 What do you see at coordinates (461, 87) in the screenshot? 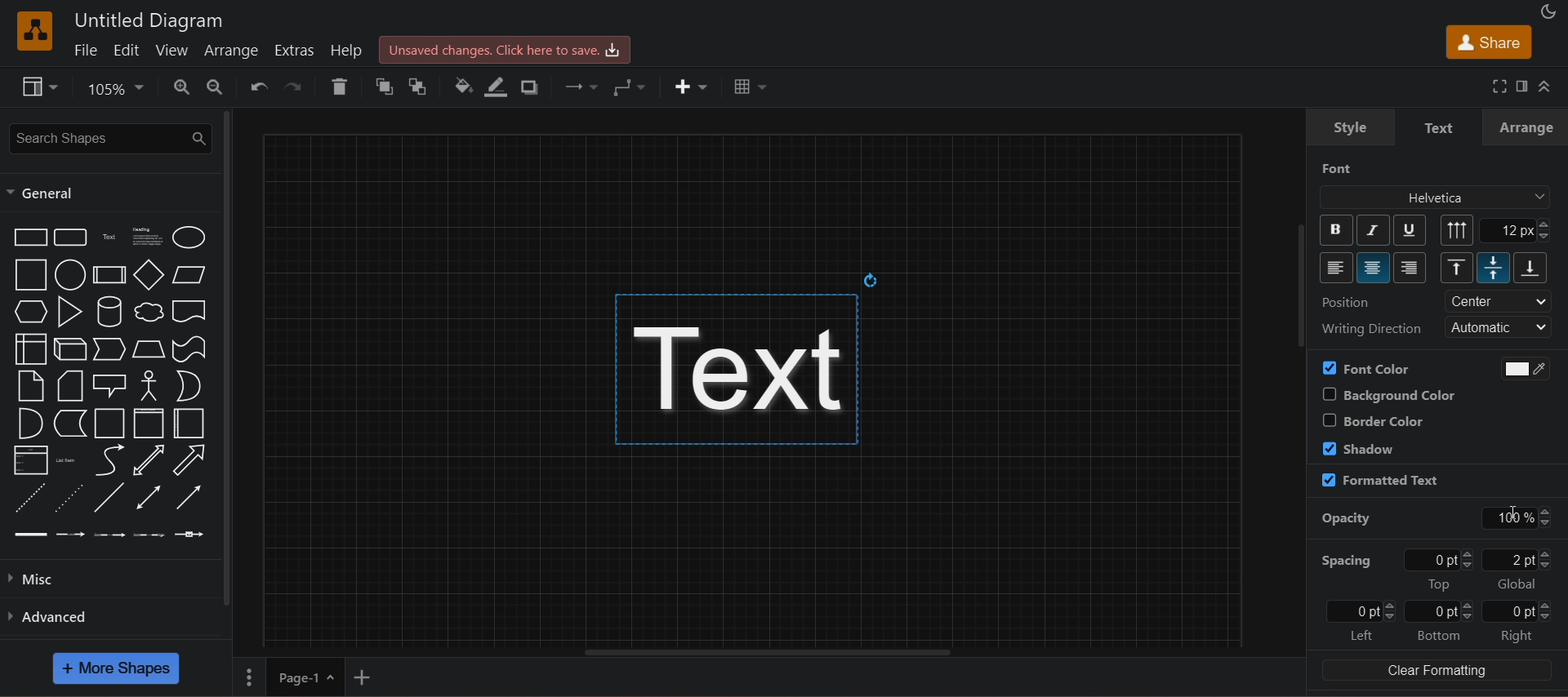
I see `fill color` at bounding box center [461, 87].